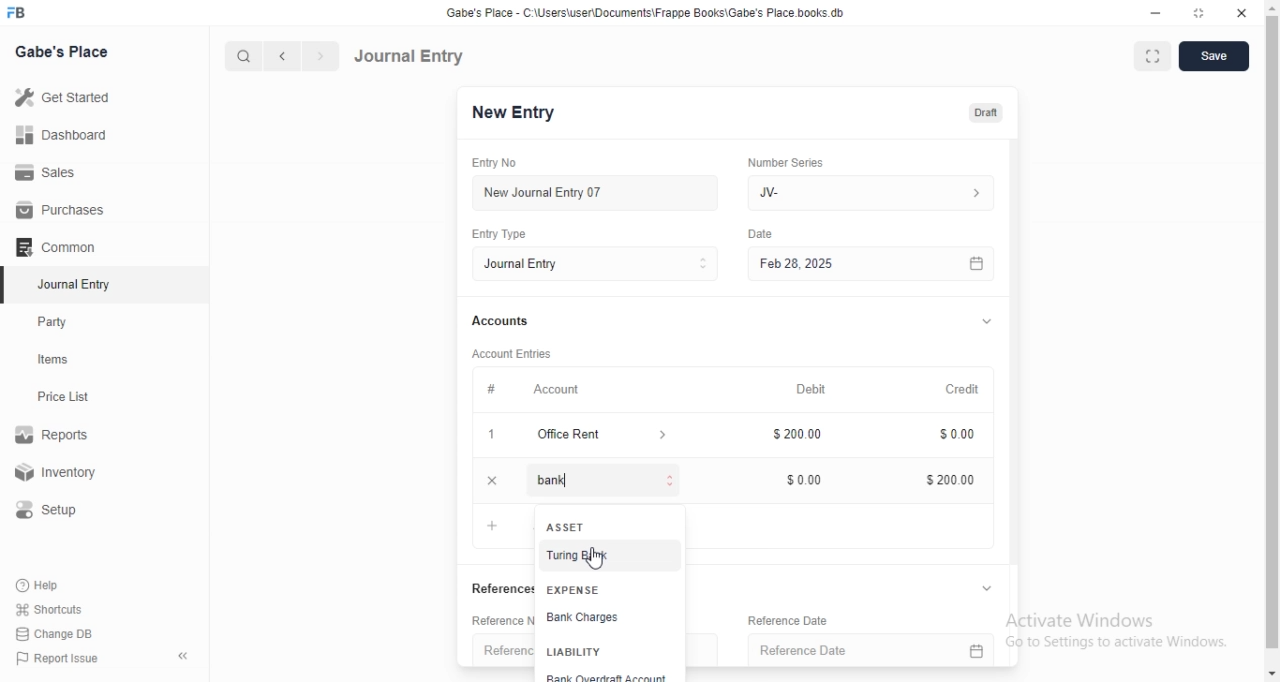 The height and width of the screenshot is (682, 1280). Describe the element at coordinates (954, 480) in the screenshot. I see `$200.00` at that location.